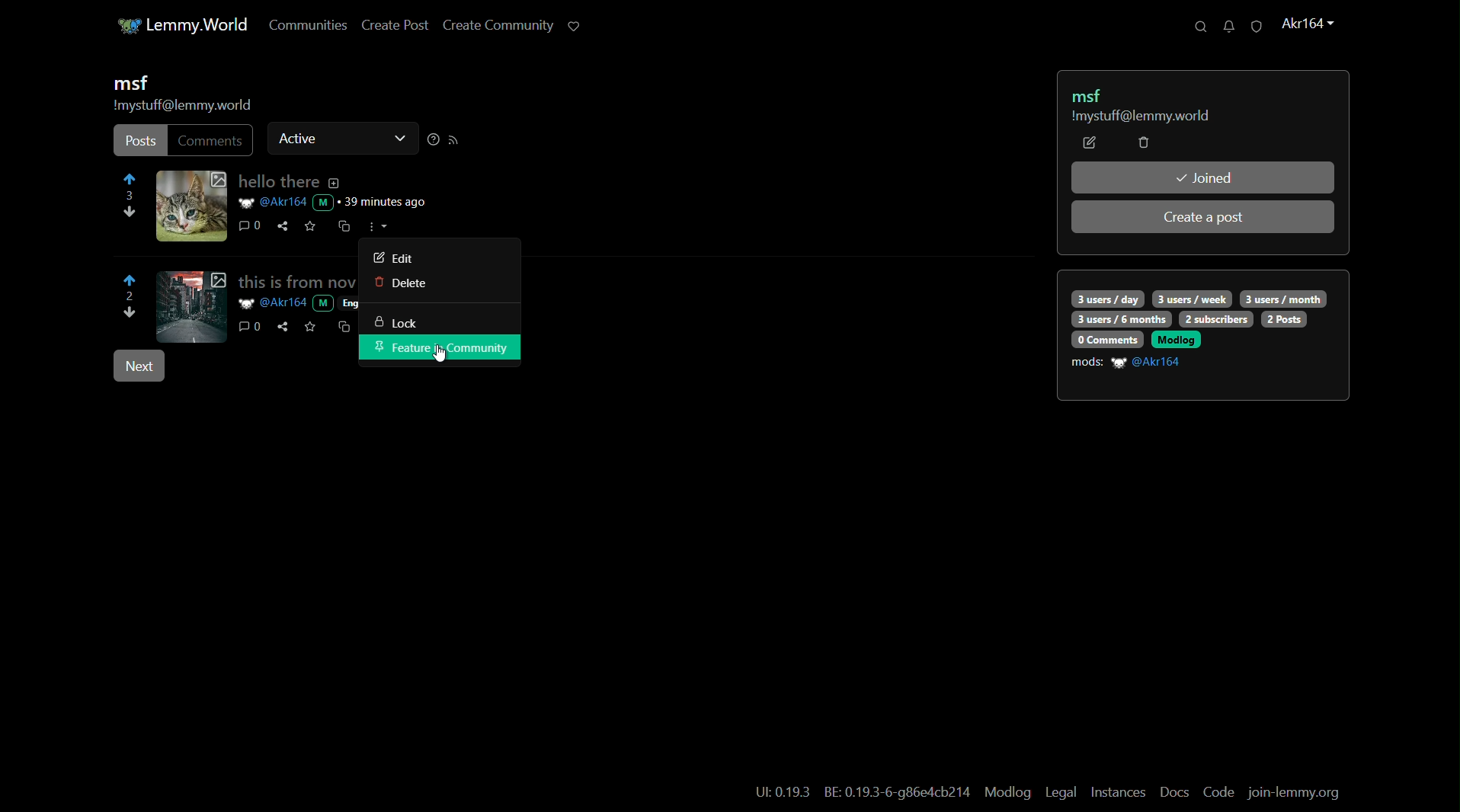 This screenshot has width=1460, height=812. Describe the element at coordinates (783, 793) in the screenshot. I see `text` at that location.